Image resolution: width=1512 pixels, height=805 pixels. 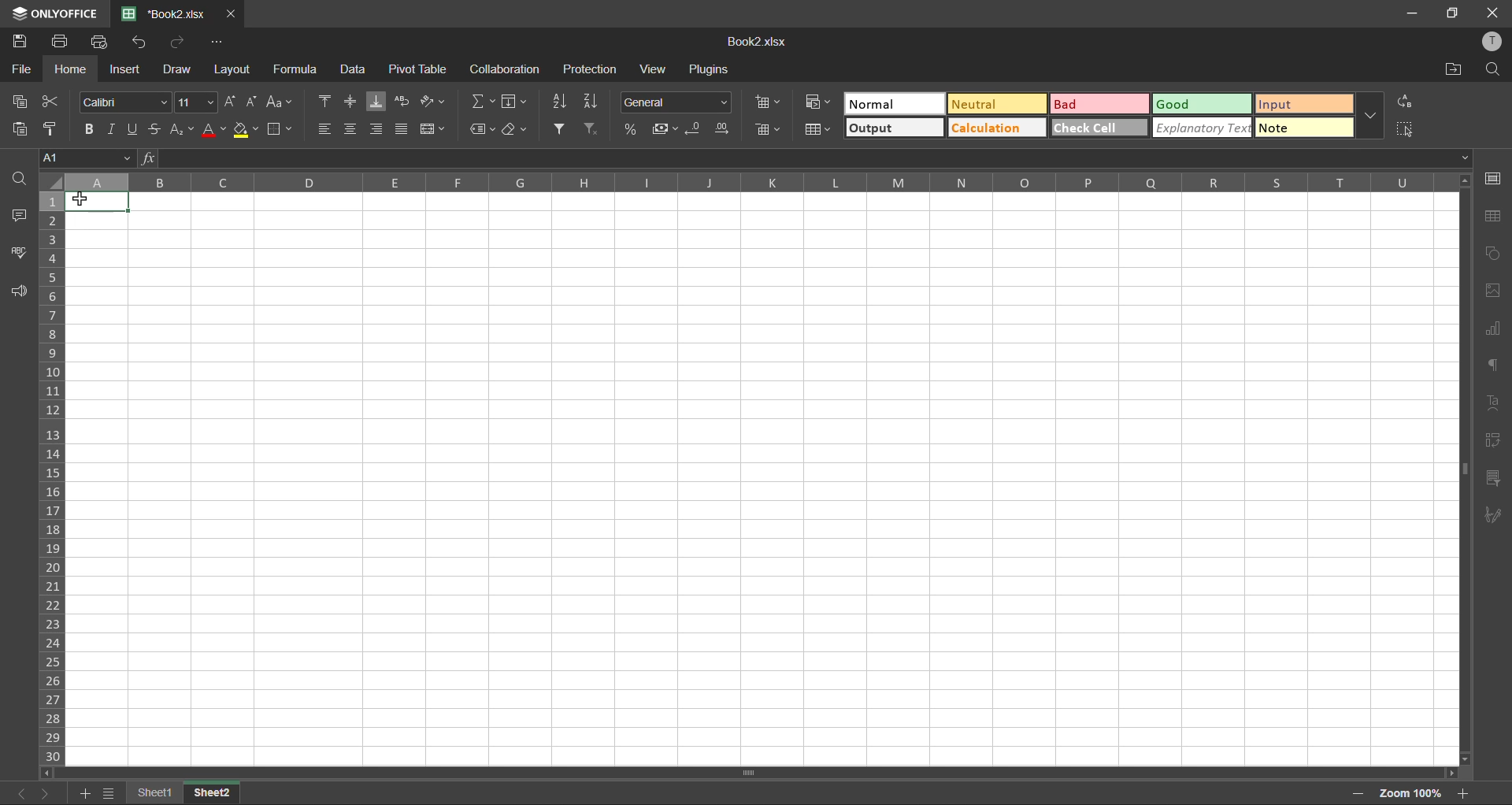 What do you see at coordinates (1492, 328) in the screenshot?
I see `charts` at bounding box center [1492, 328].